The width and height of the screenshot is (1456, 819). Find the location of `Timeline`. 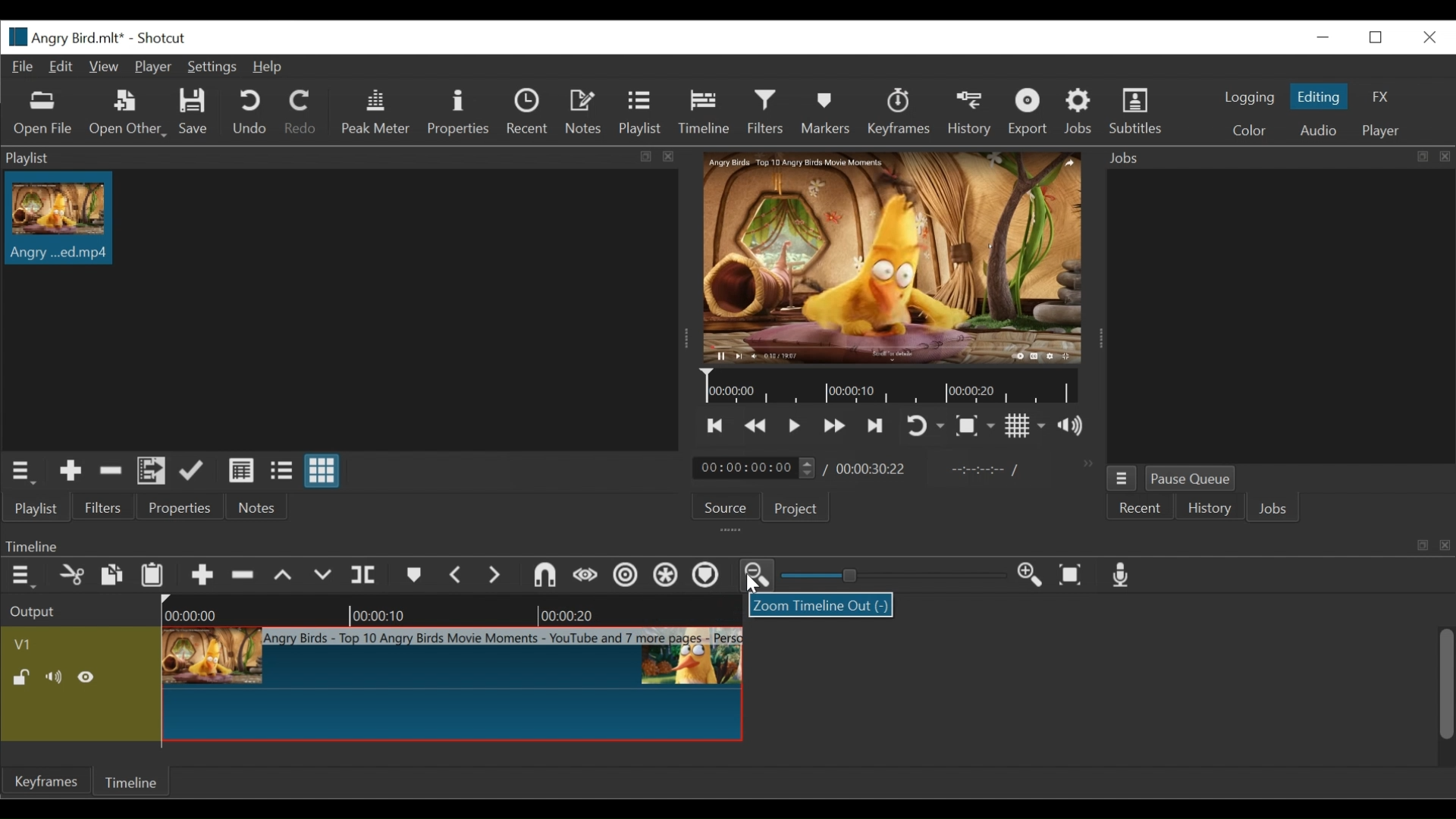

Timeline is located at coordinates (453, 609).